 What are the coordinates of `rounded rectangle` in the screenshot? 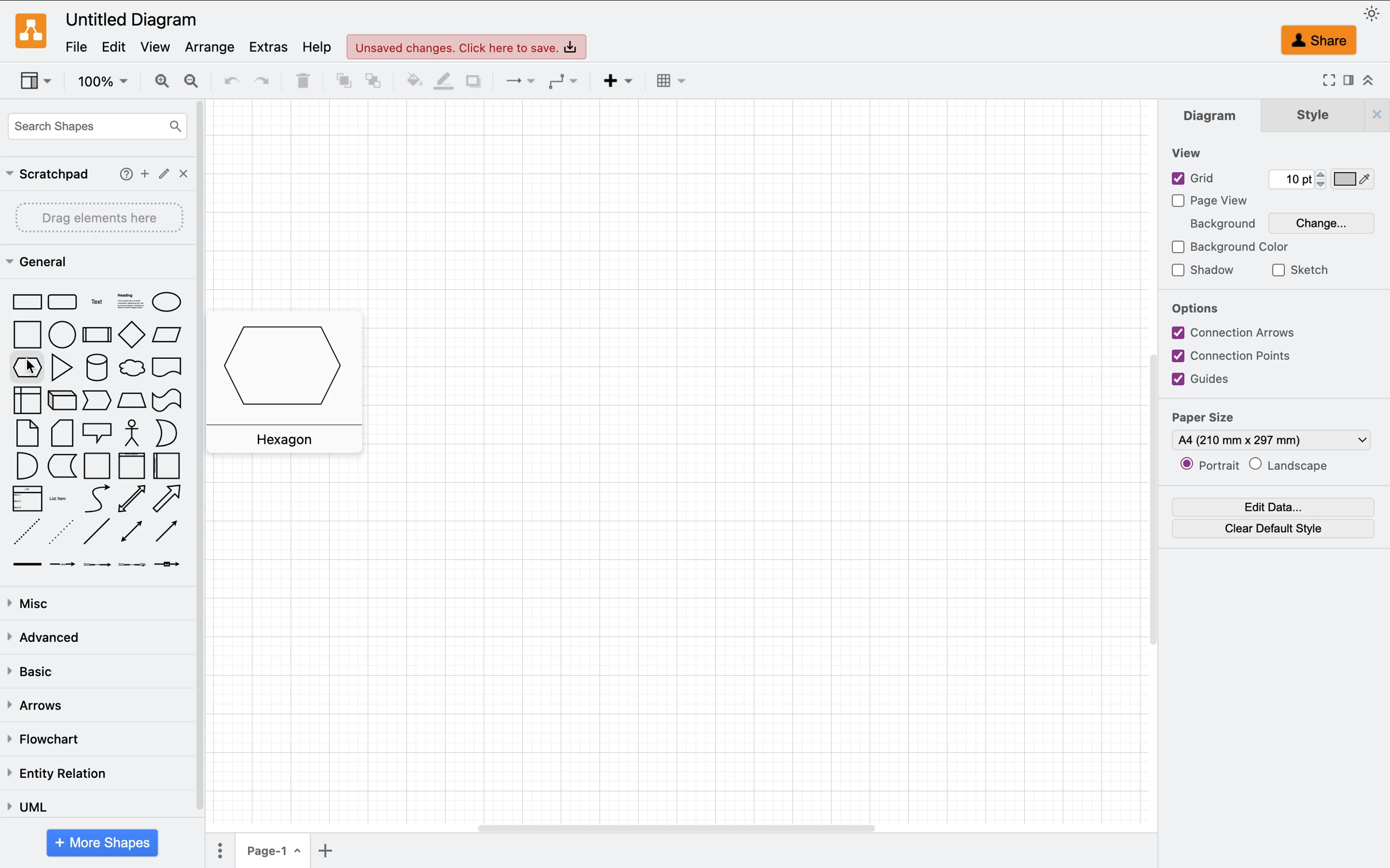 It's located at (62, 301).